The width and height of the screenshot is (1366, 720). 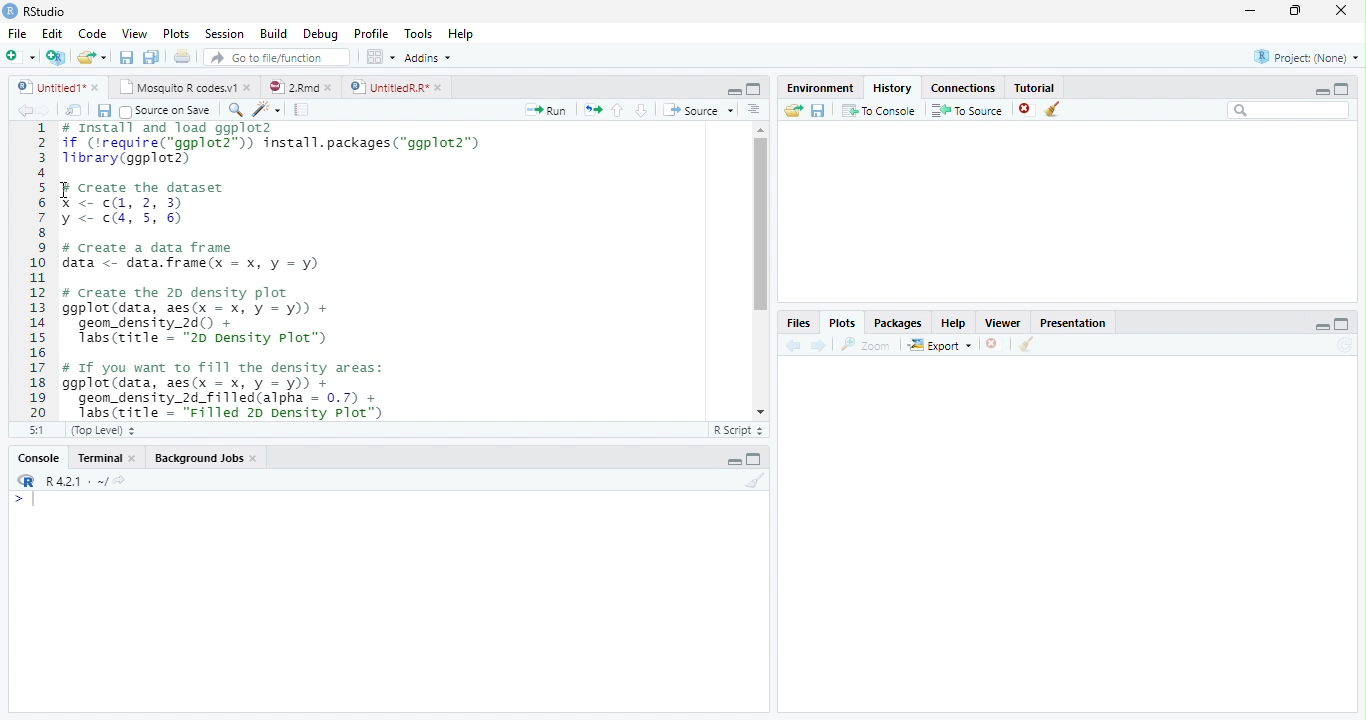 What do you see at coordinates (820, 111) in the screenshot?
I see `save workspace` at bounding box center [820, 111].